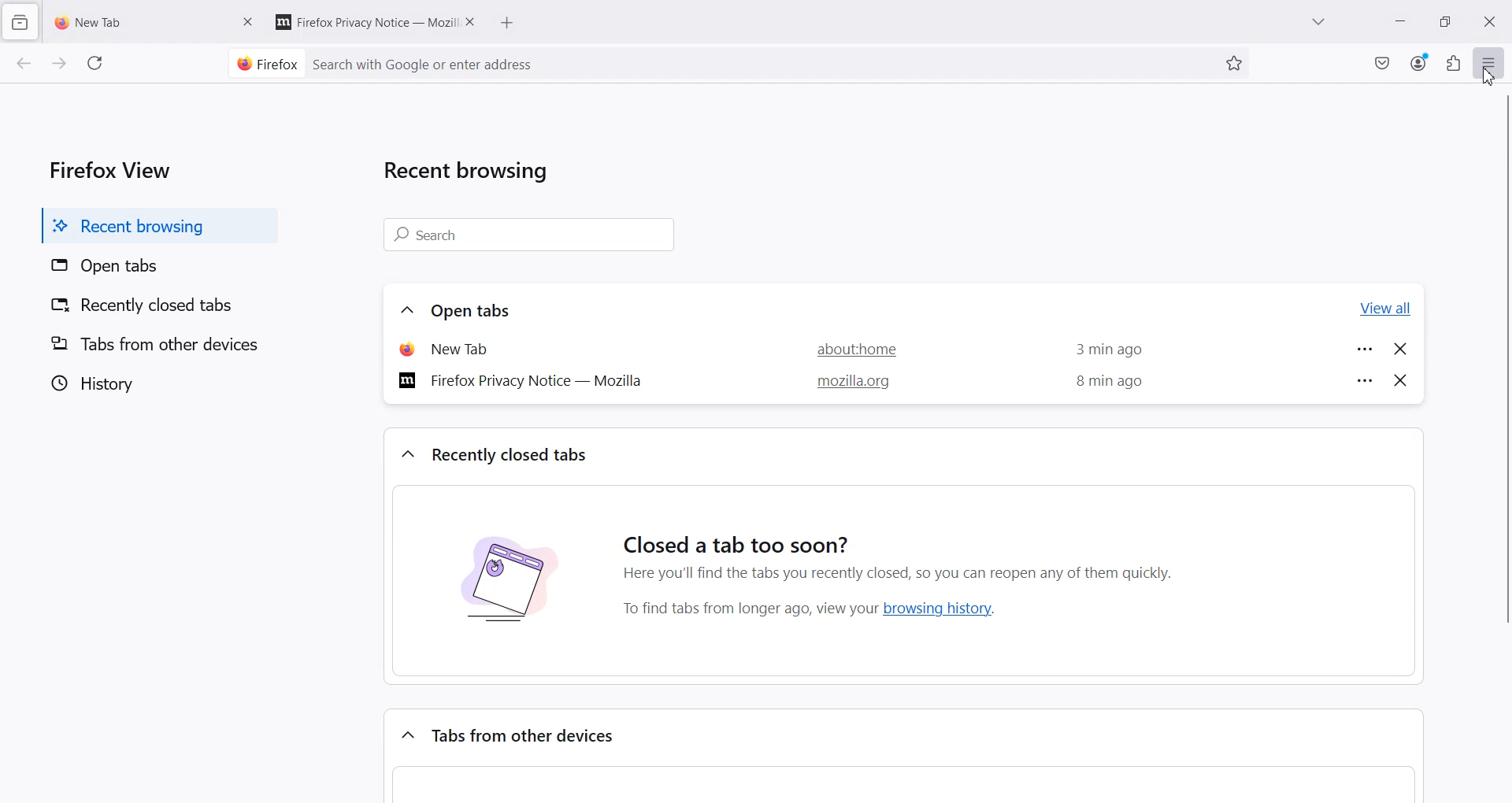 This screenshot has width=1512, height=803. Describe the element at coordinates (1103, 350) in the screenshot. I see `3 min ago` at that location.